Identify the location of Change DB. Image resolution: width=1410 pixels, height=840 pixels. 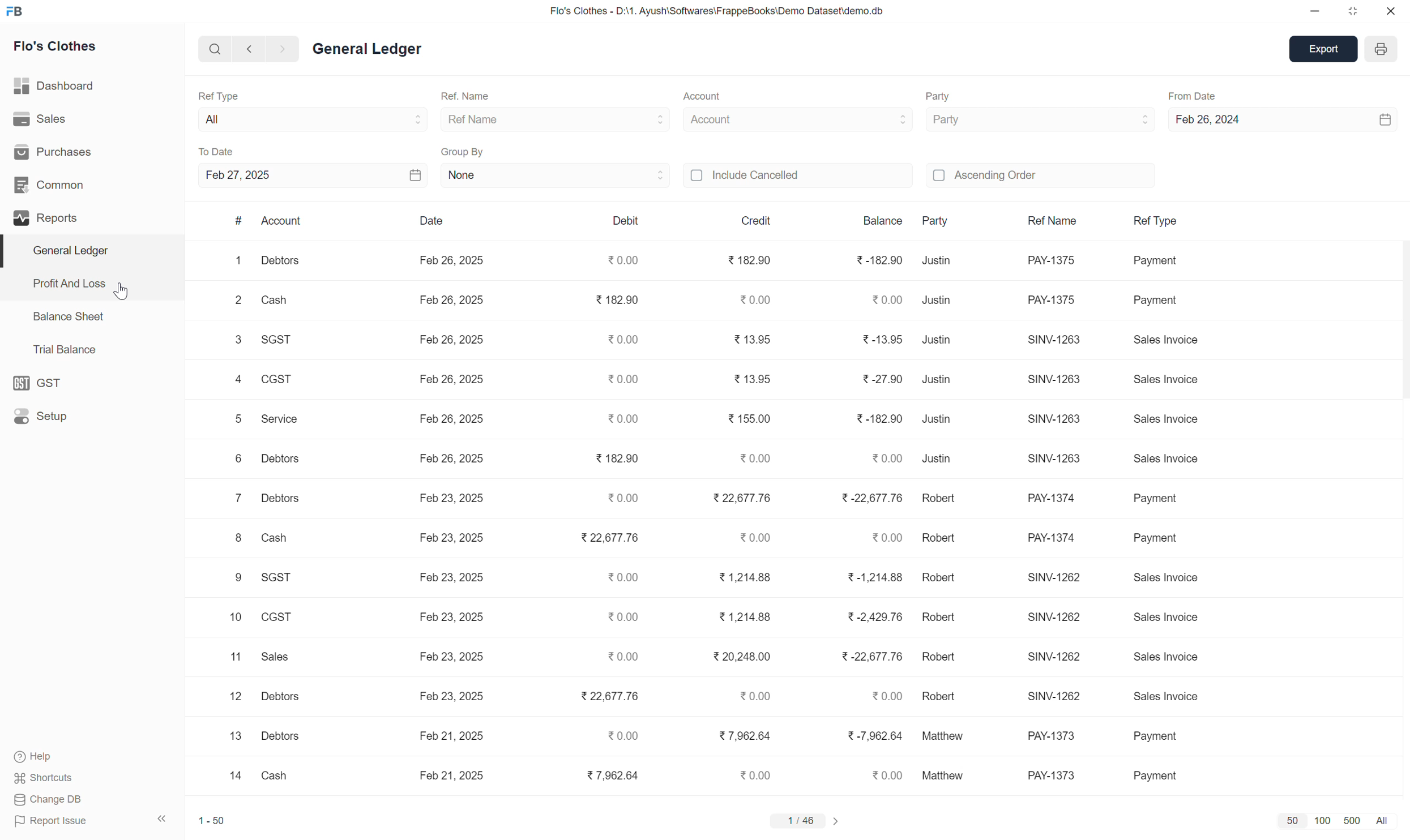
(80, 802).